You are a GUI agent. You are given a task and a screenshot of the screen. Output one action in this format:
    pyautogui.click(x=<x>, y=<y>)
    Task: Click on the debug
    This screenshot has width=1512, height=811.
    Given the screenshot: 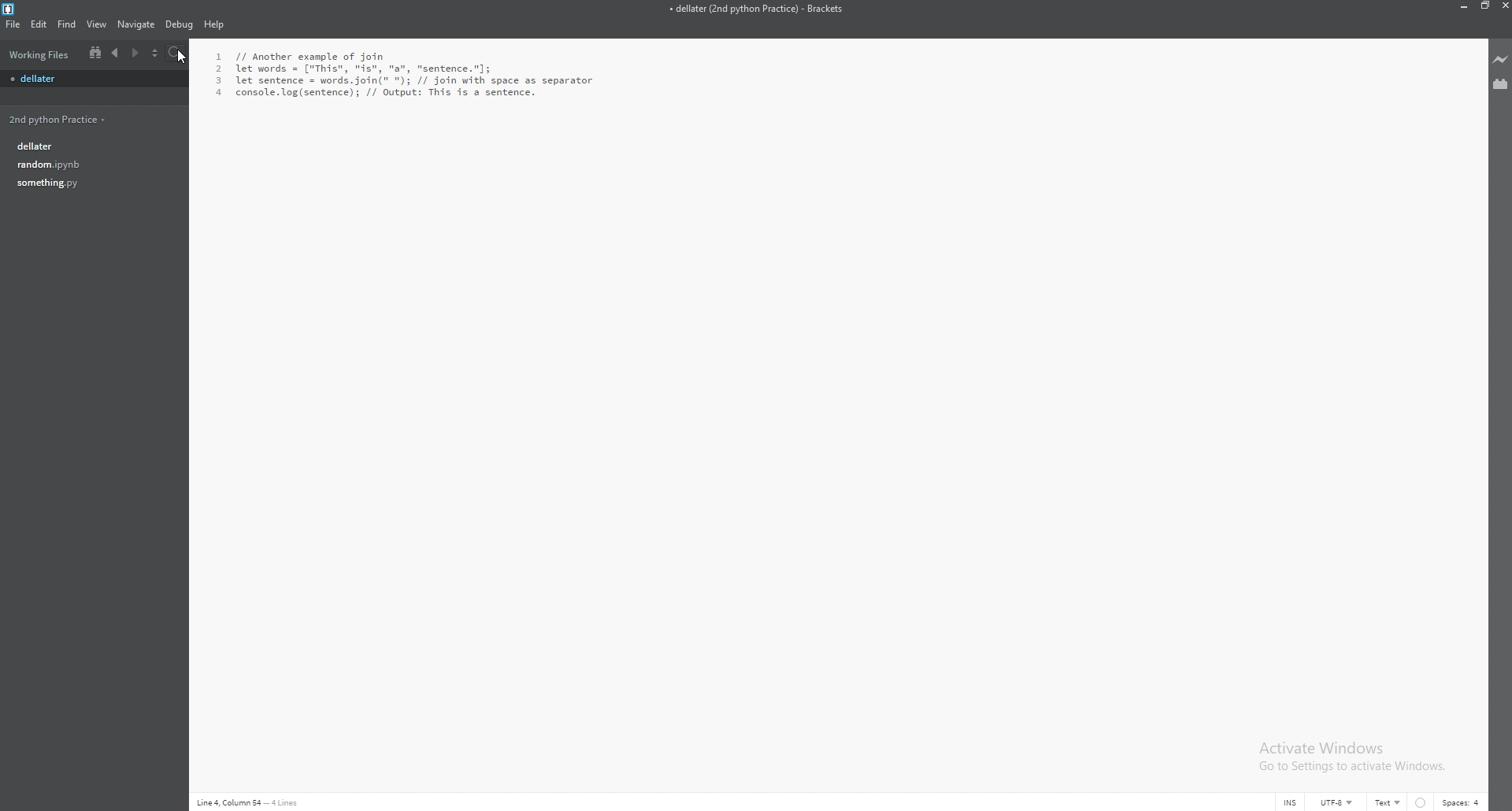 What is the action you would take?
    pyautogui.click(x=180, y=26)
    